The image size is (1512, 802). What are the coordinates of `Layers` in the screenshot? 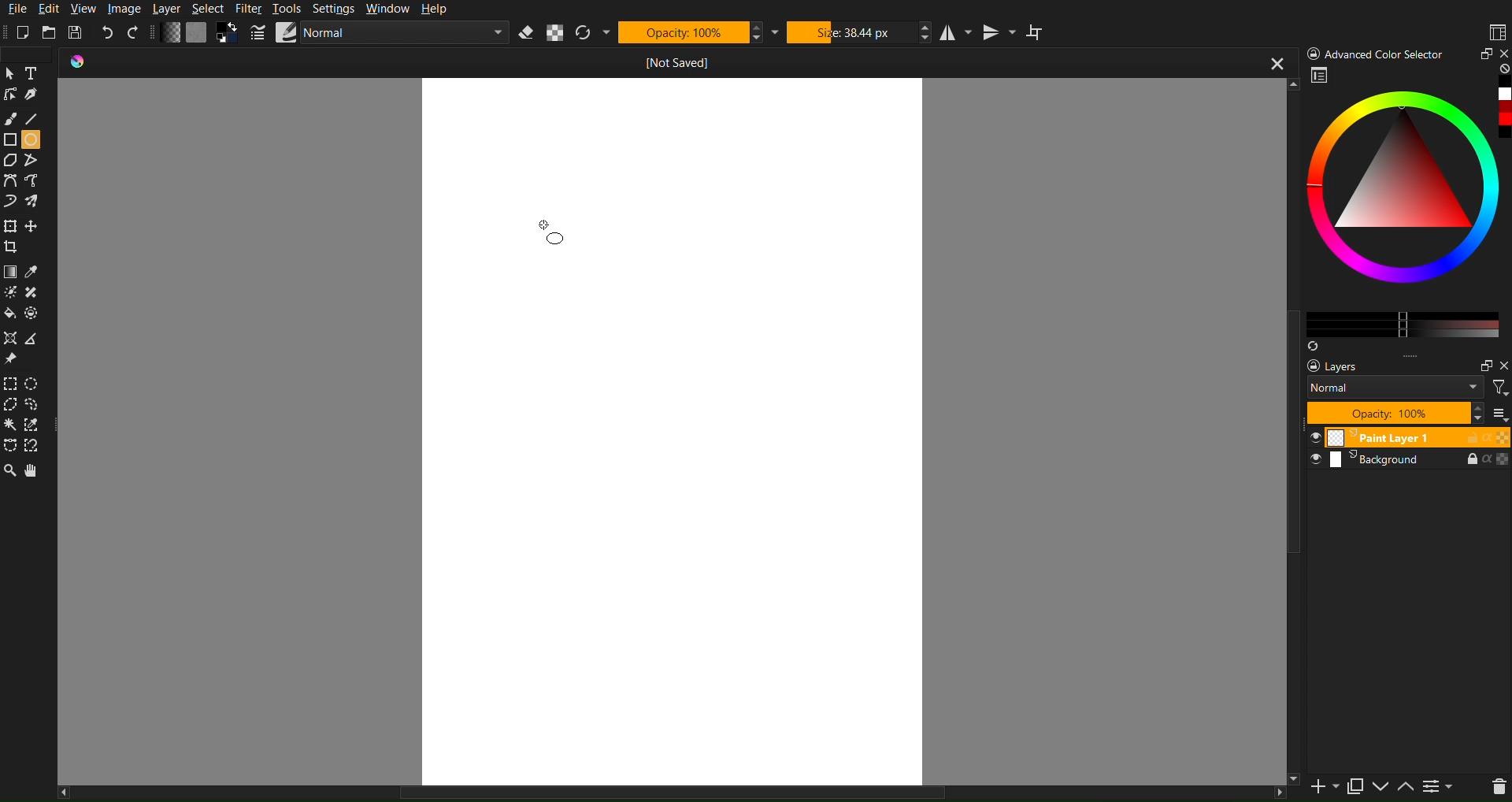 It's located at (1336, 366).